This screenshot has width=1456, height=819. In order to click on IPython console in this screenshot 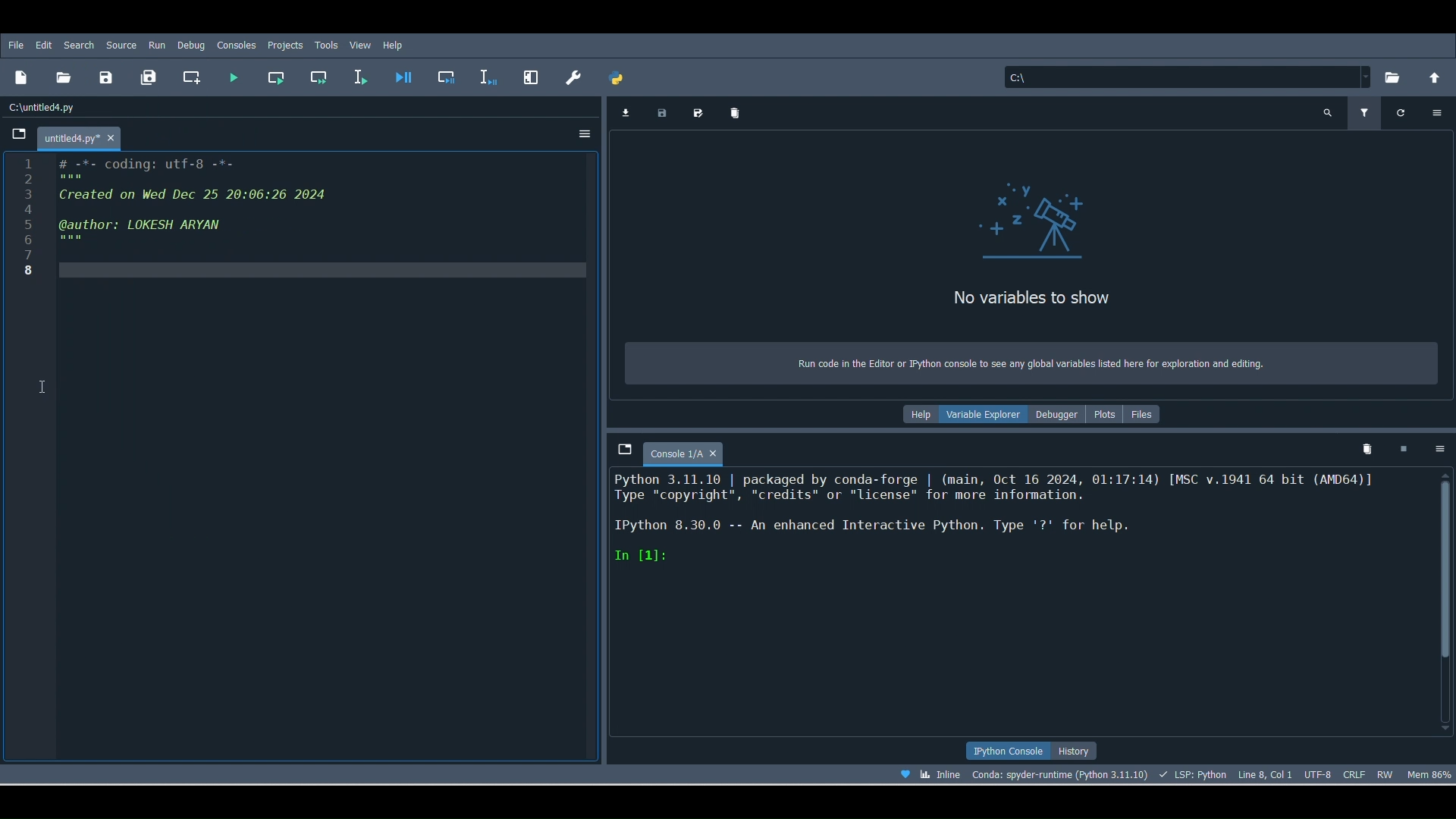, I will do `click(1009, 750)`.